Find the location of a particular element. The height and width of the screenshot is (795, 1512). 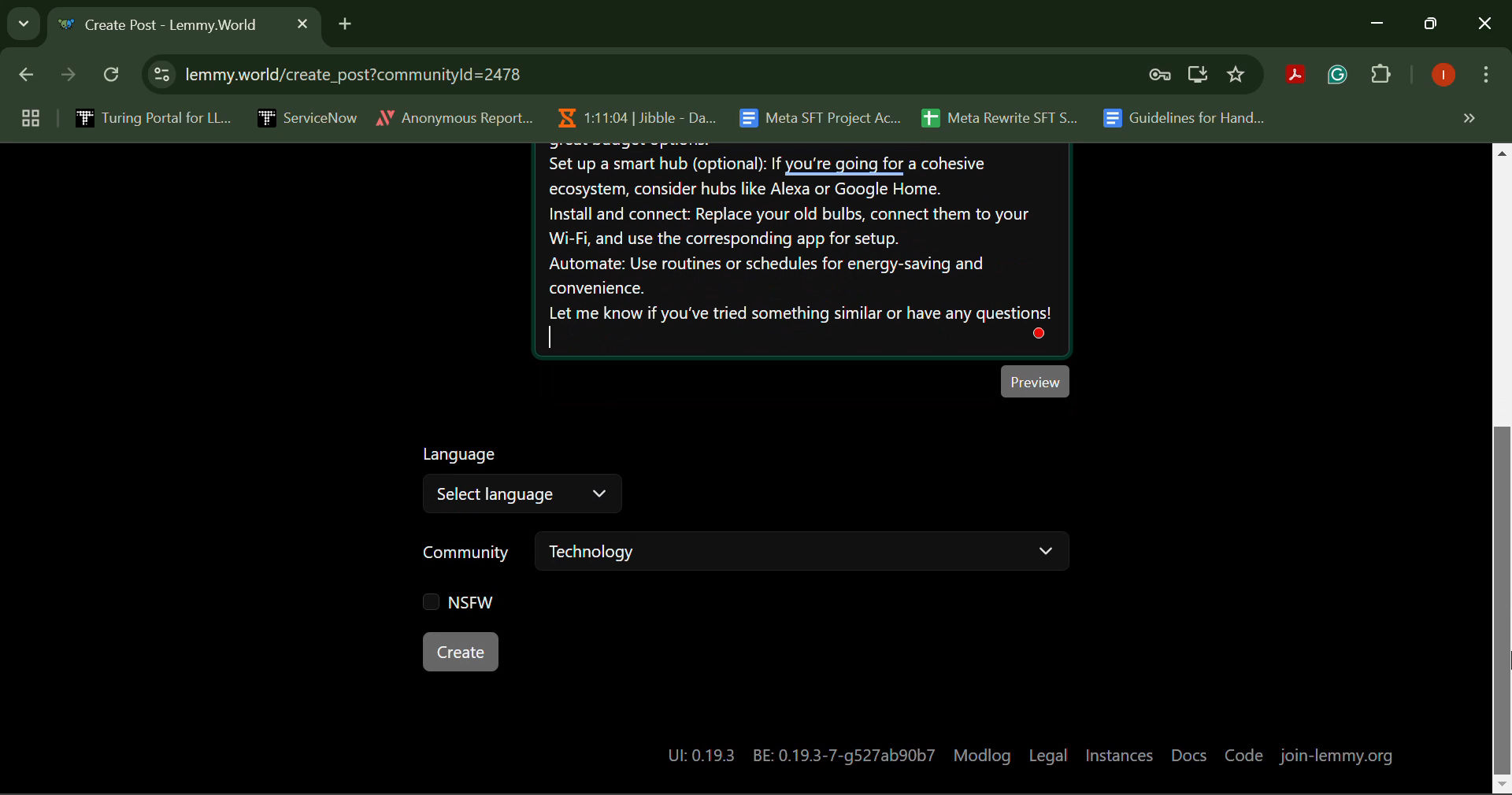

Cursor Position at MOUSE_UP is located at coordinates (1503, 639).